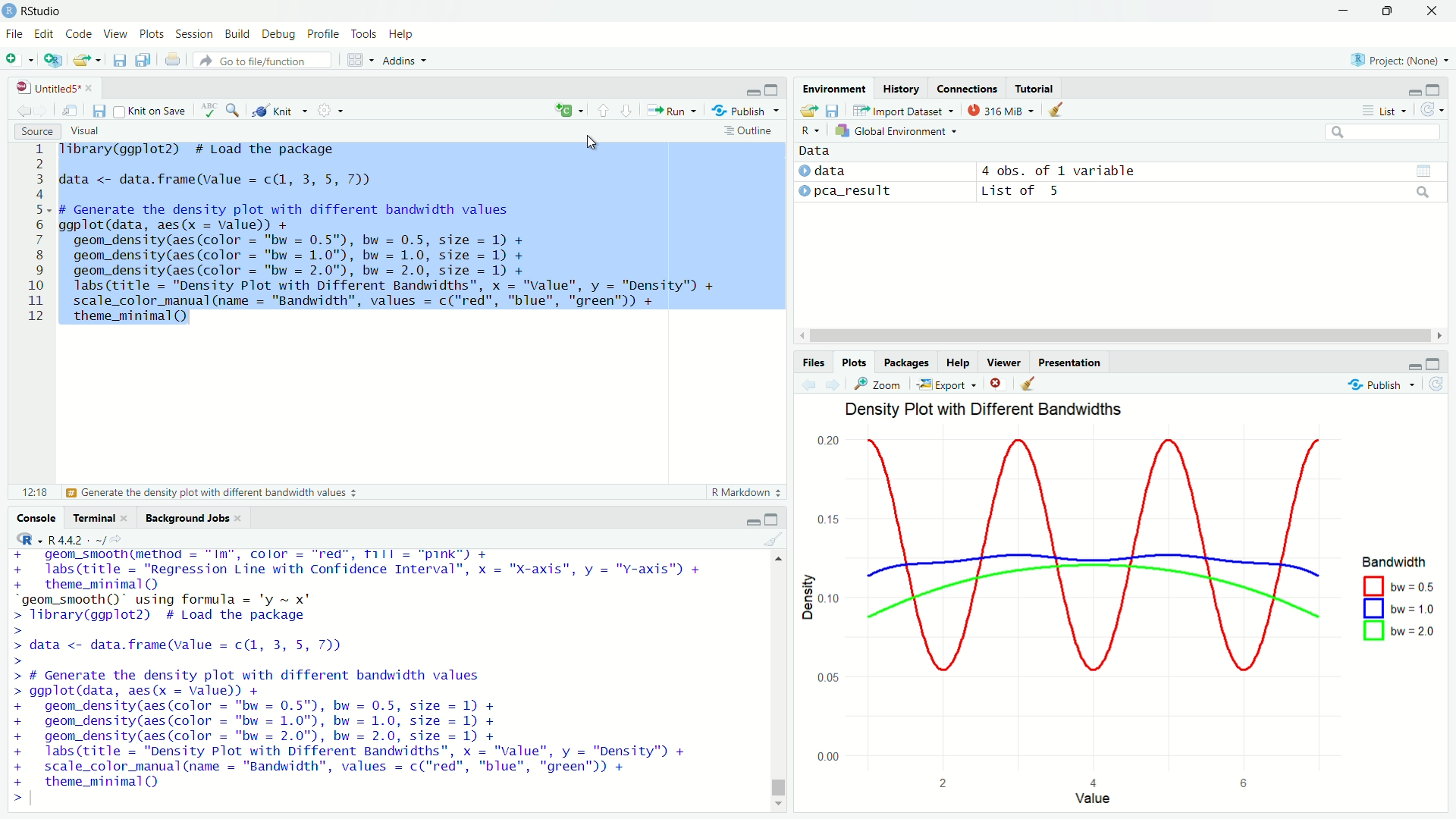  What do you see at coordinates (44, 34) in the screenshot?
I see `Edit` at bounding box center [44, 34].